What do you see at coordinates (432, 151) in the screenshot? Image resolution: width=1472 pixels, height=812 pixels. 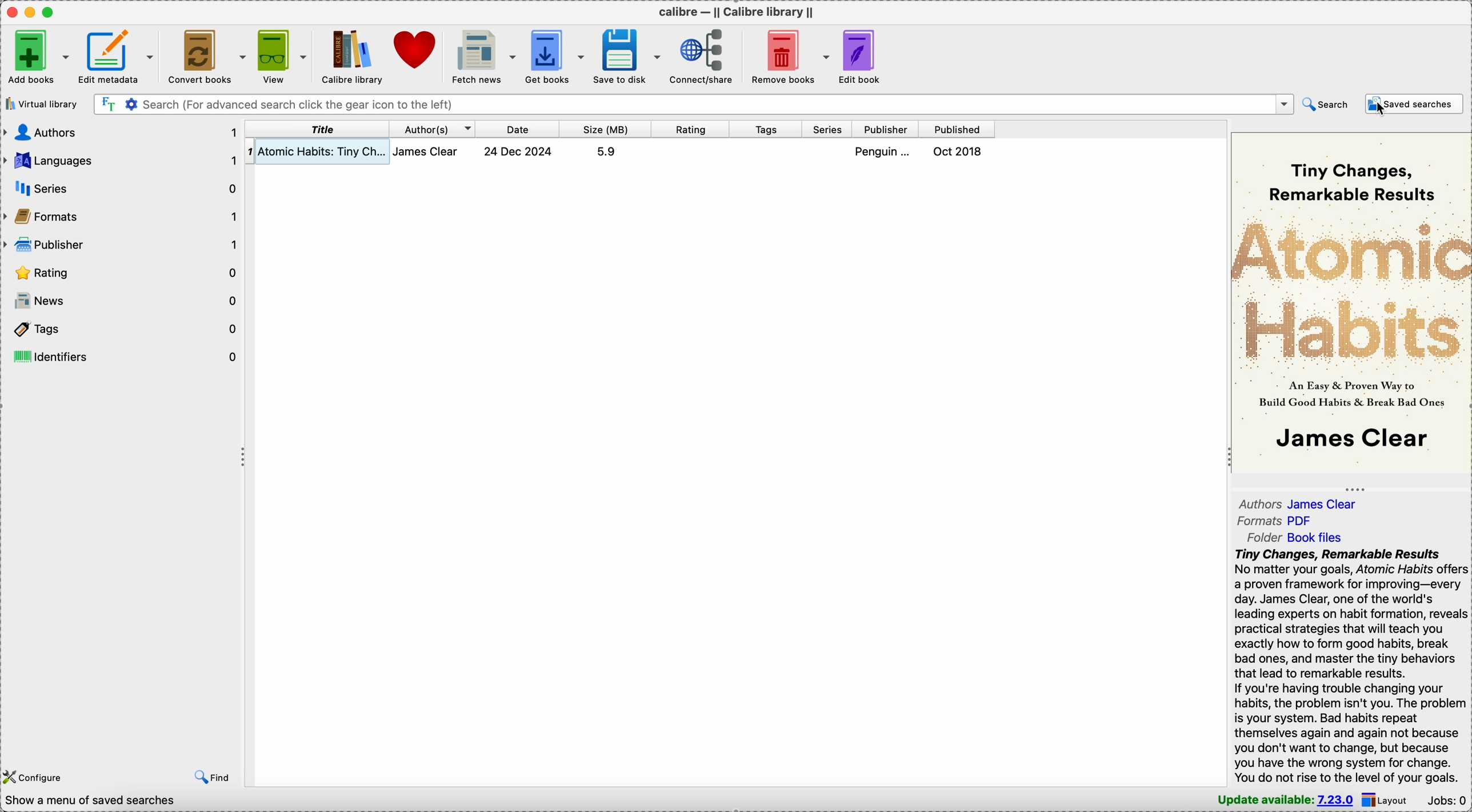 I see `james clear` at bounding box center [432, 151].